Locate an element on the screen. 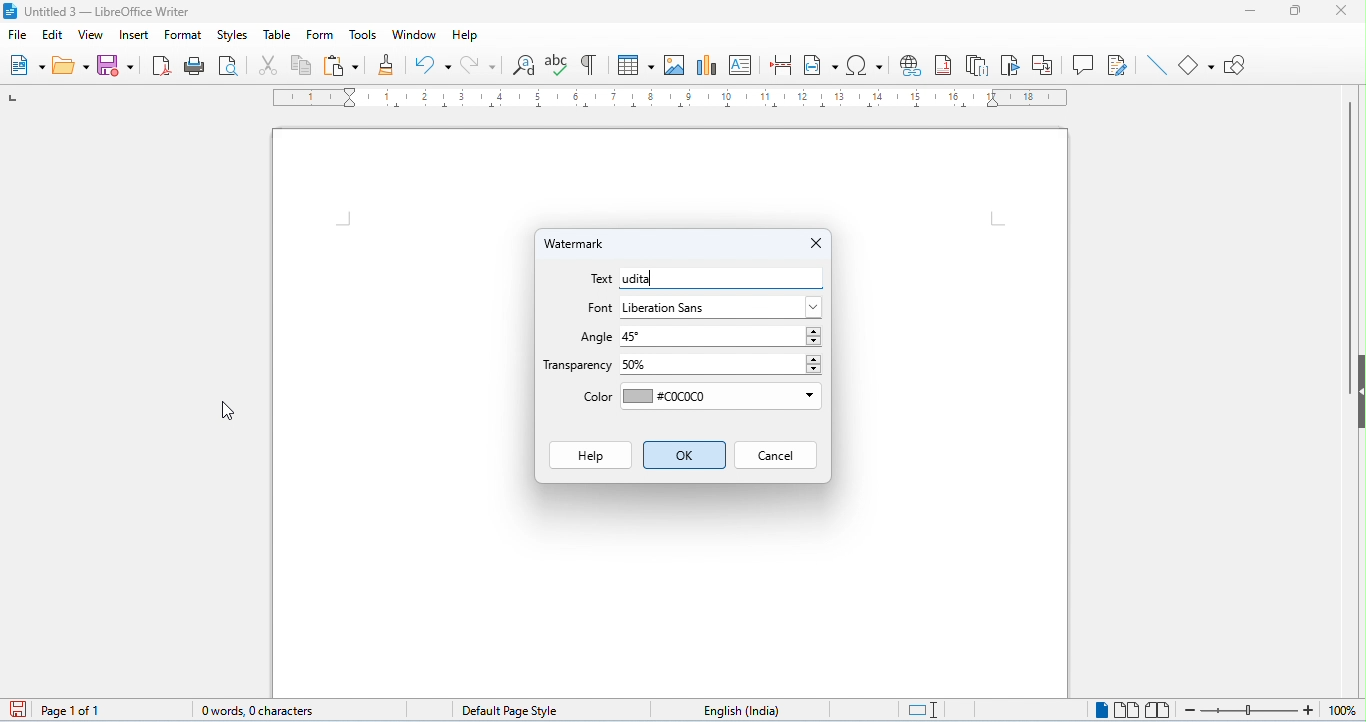 This screenshot has width=1366, height=722. format is located at coordinates (181, 36).